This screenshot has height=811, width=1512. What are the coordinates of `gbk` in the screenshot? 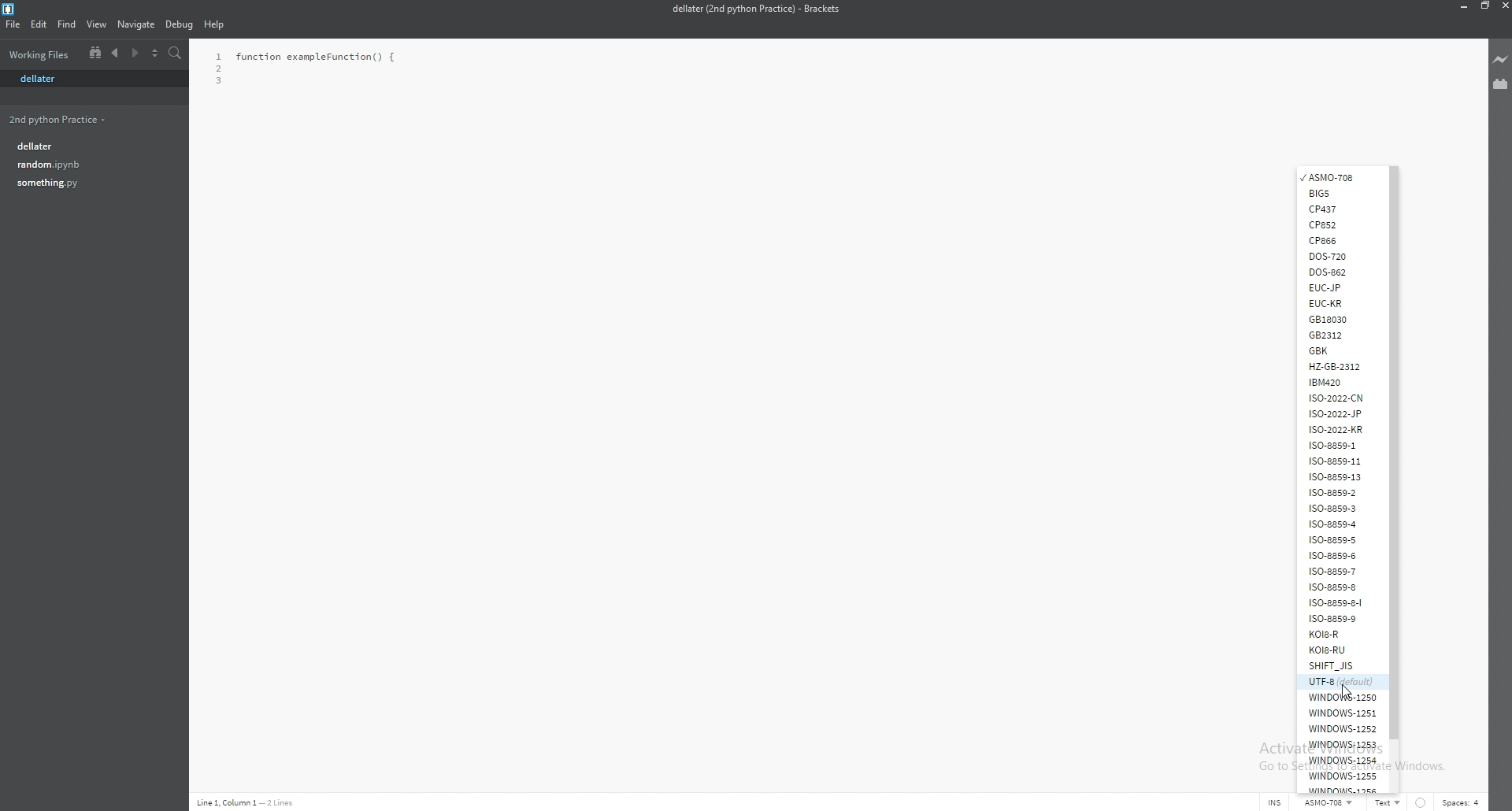 It's located at (1339, 350).